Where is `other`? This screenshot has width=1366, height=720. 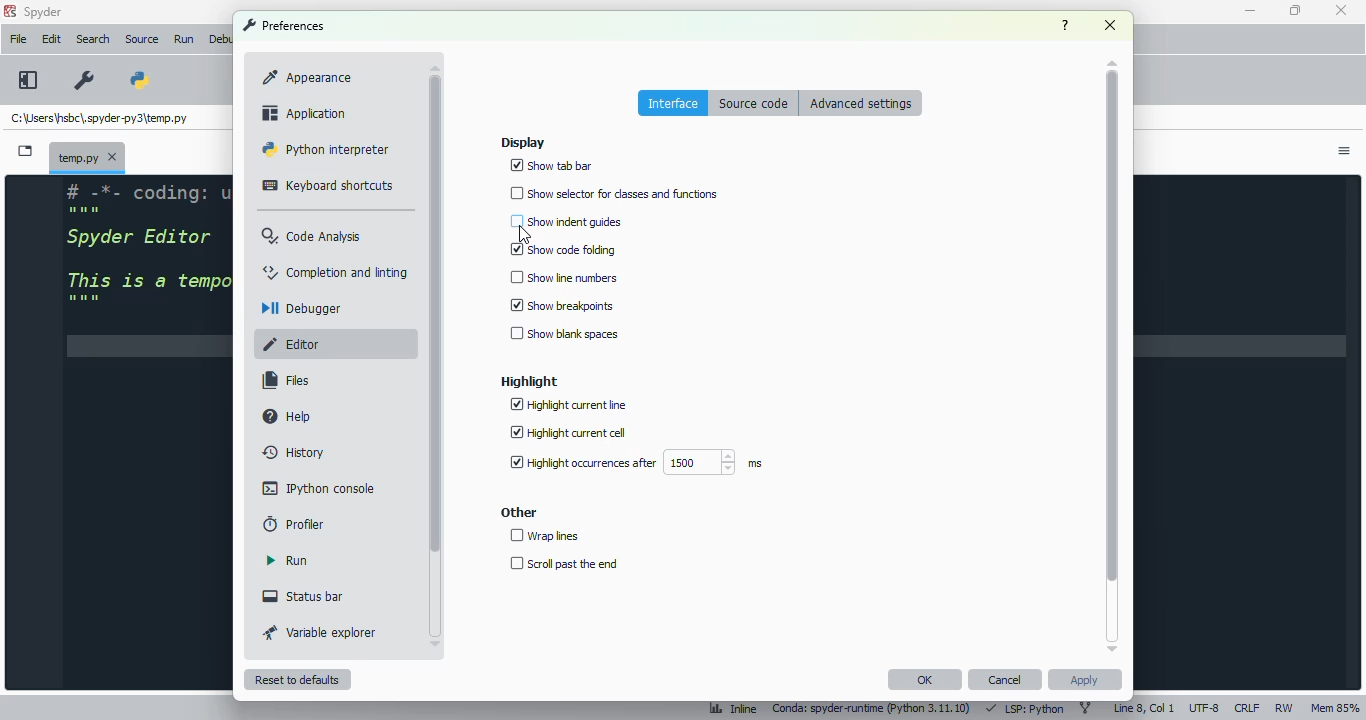
other is located at coordinates (520, 513).